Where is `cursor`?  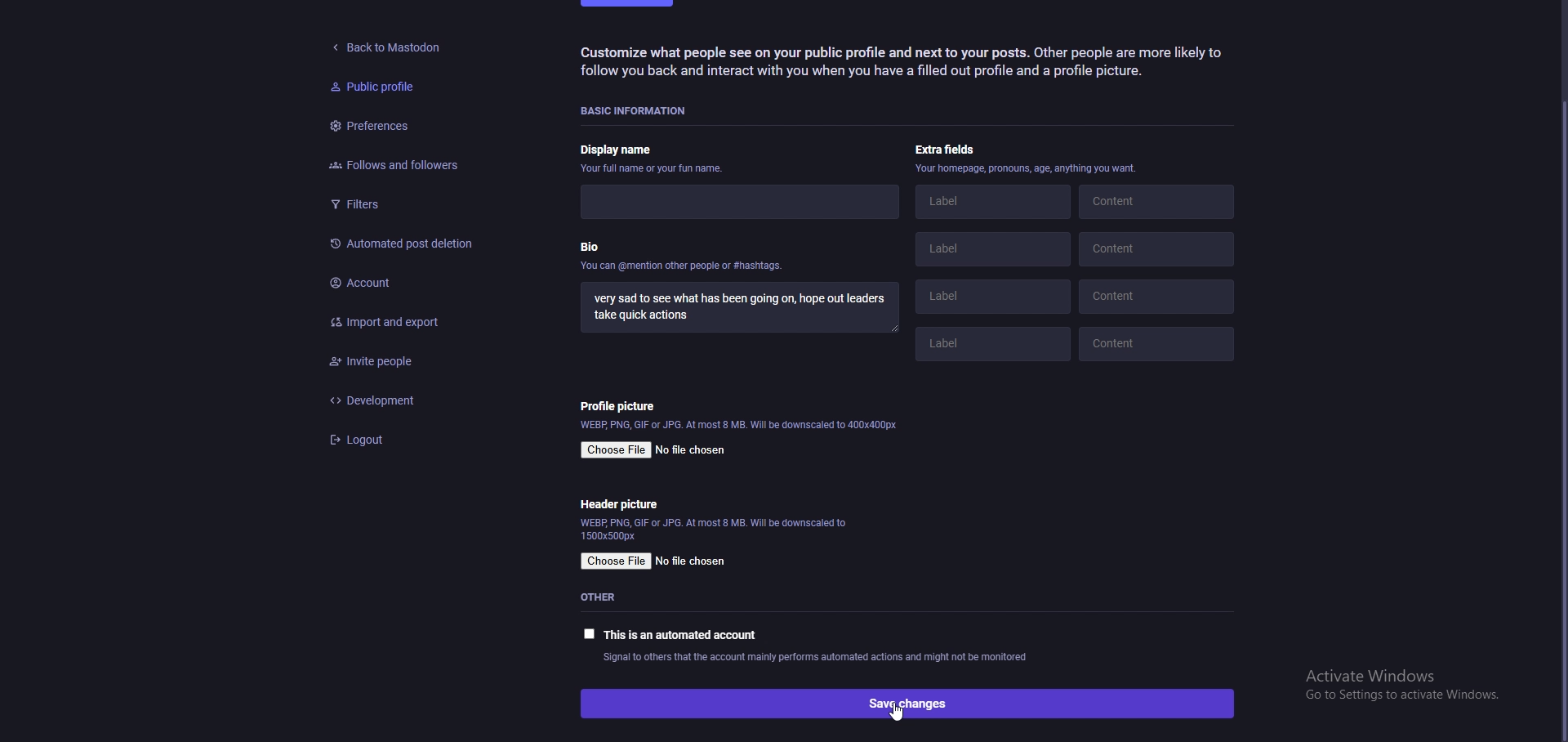
cursor is located at coordinates (1561, 427).